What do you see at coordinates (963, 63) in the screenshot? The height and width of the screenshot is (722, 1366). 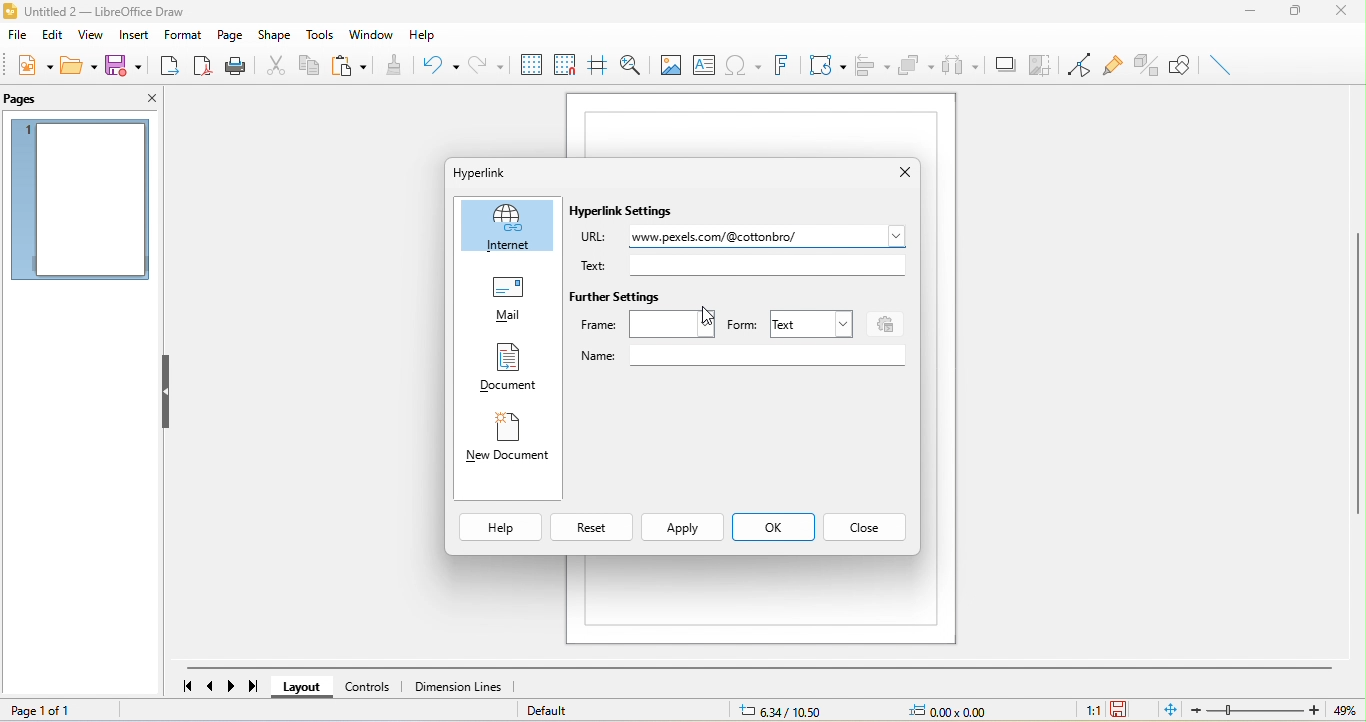 I see `select at least three object to distribute` at bounding box center [963, 63].